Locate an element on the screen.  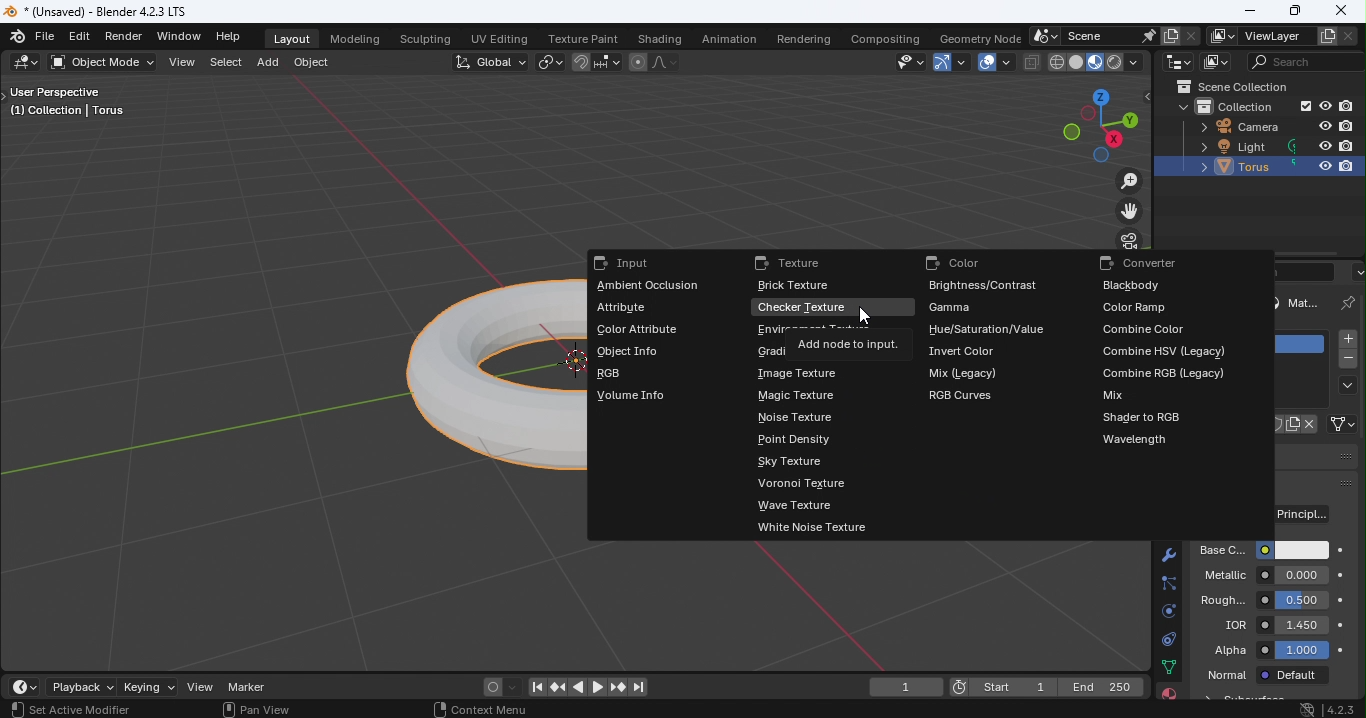
Combine HSV (Legacy)) is located at coordinates (1165, 351).